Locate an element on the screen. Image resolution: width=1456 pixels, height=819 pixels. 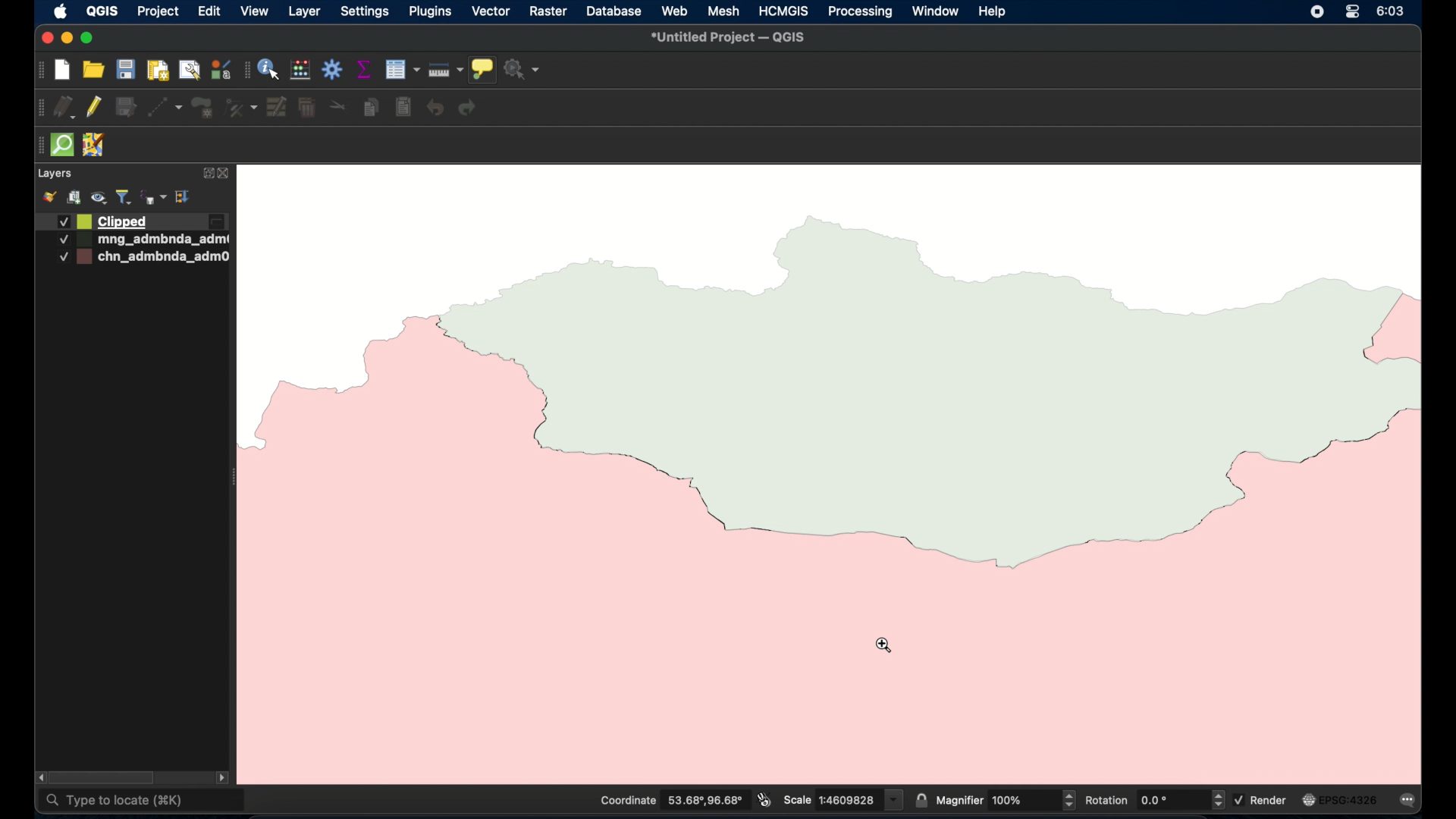
show statistical summary is located at coordinates (365, 69).